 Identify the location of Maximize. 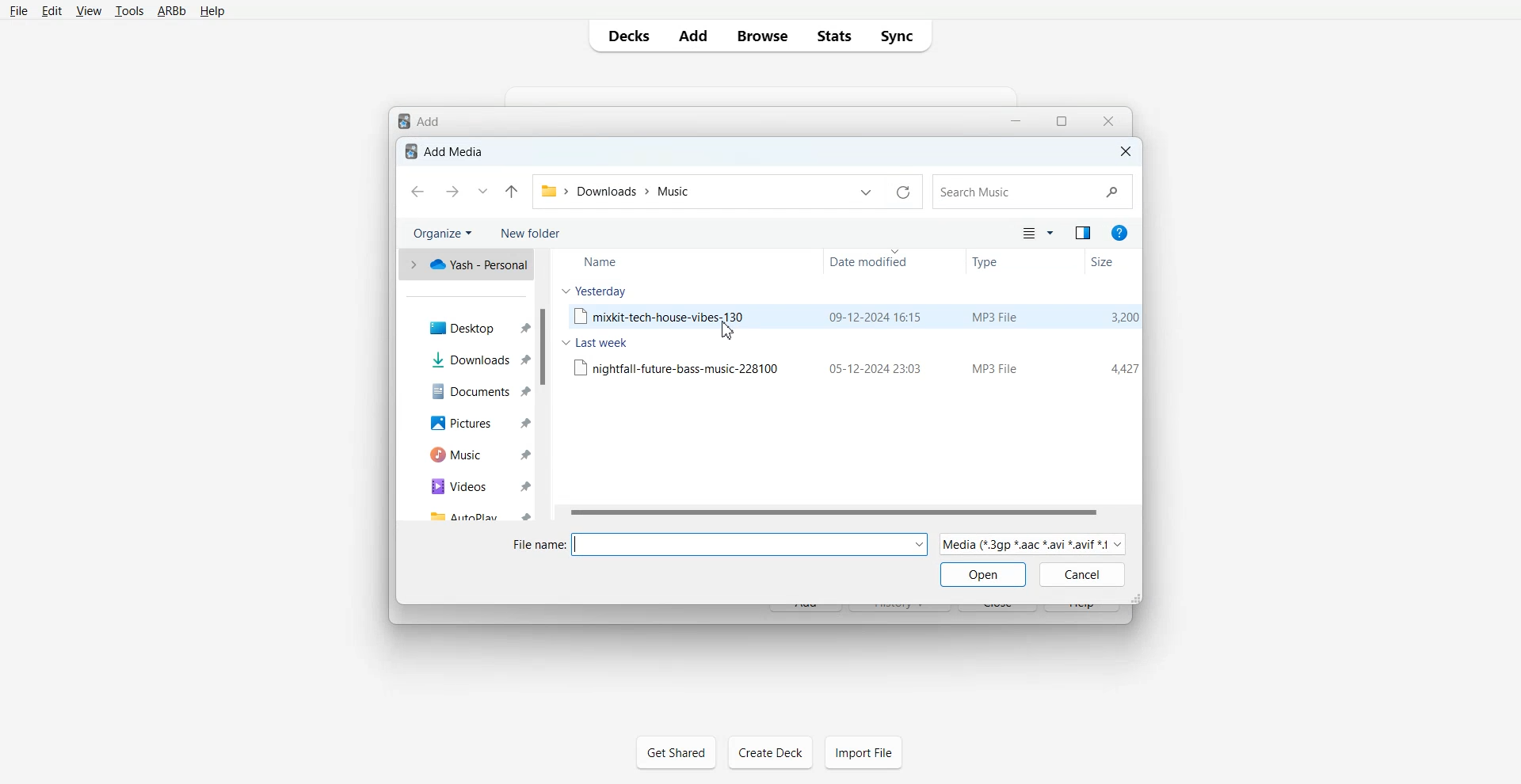
(1061, 122).